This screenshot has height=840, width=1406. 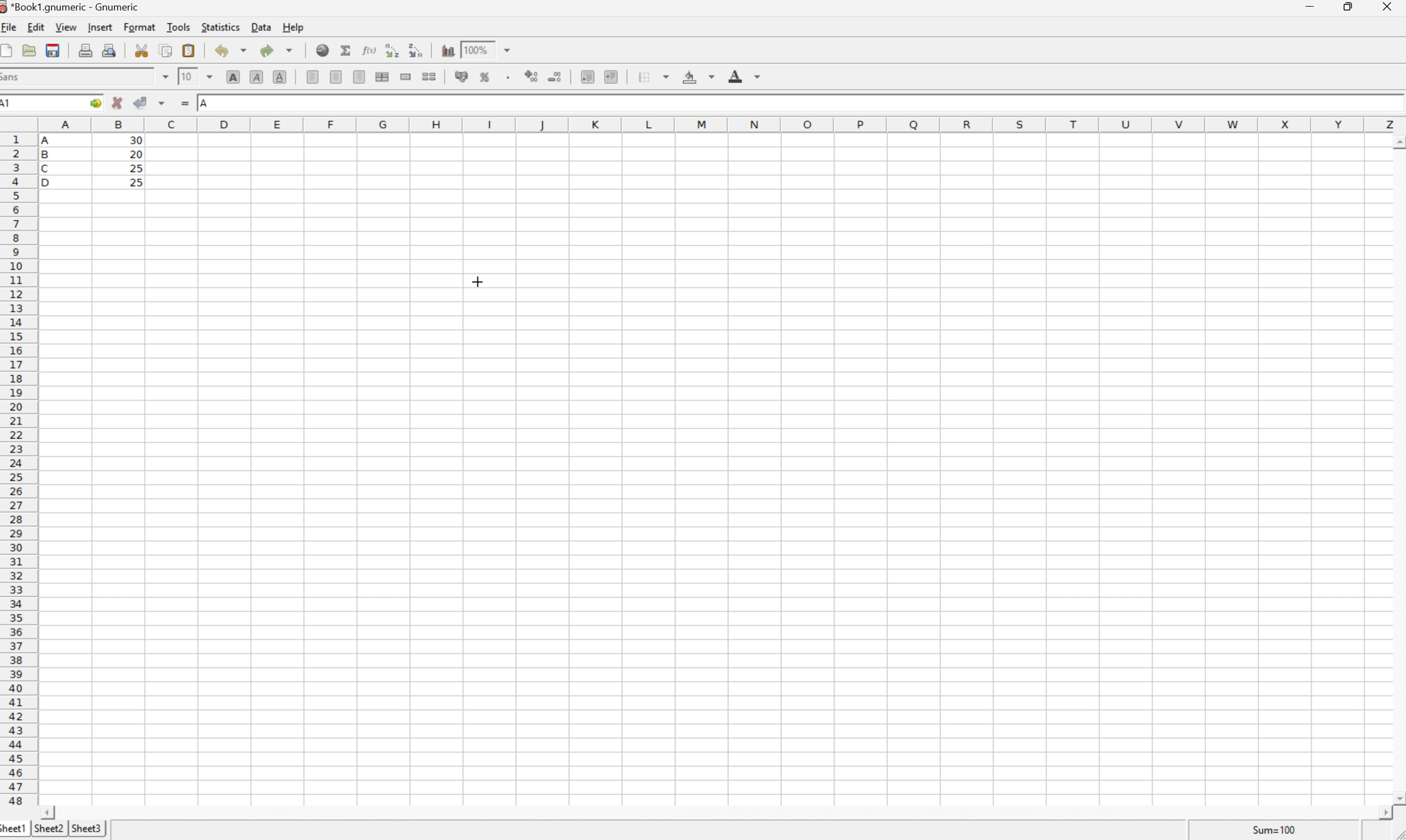 I want to click on Drop Down, so click(x=210, y=76).